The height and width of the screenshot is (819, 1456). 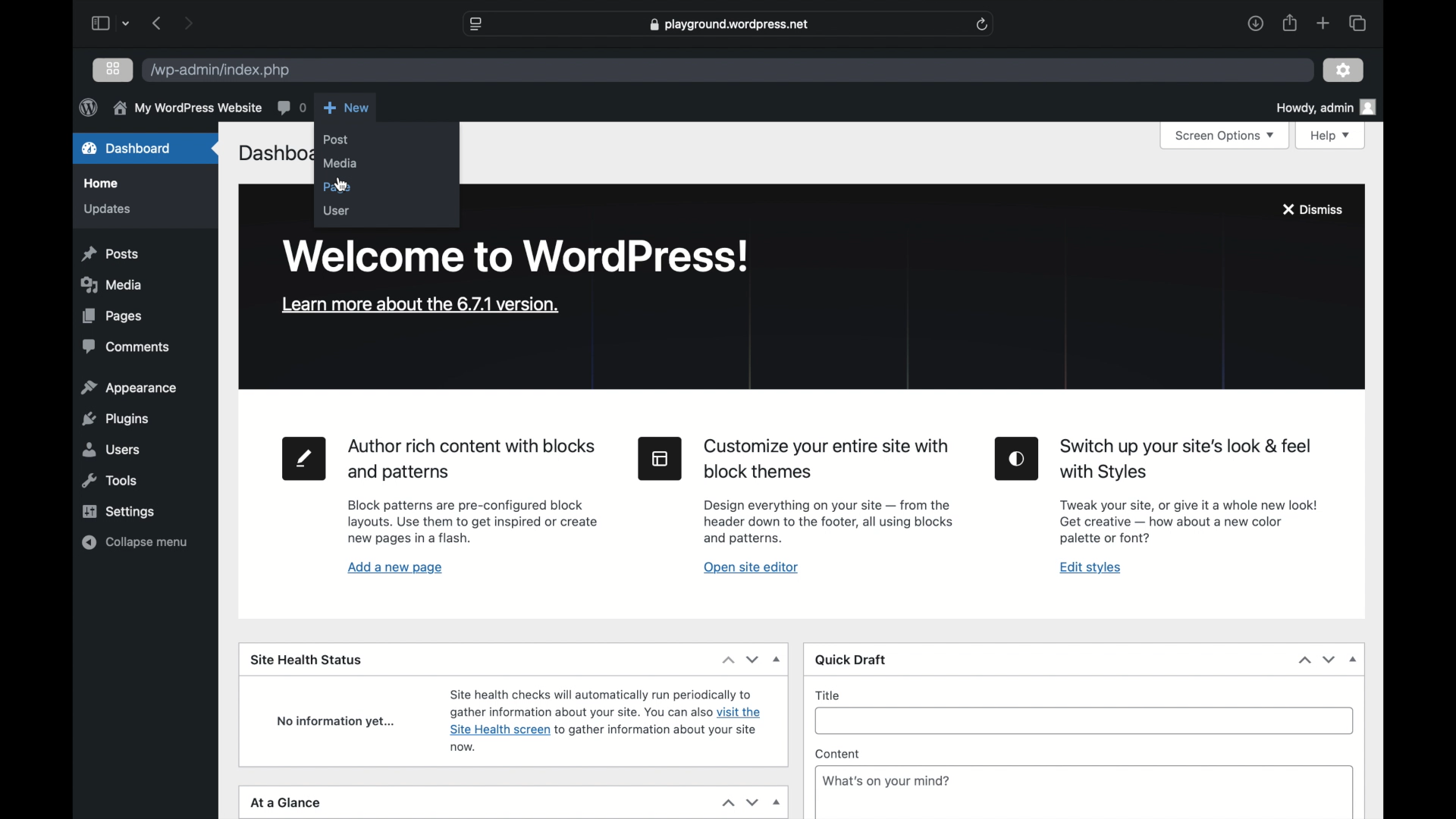 I want to click on quick draft, so click(x=852, y=661).